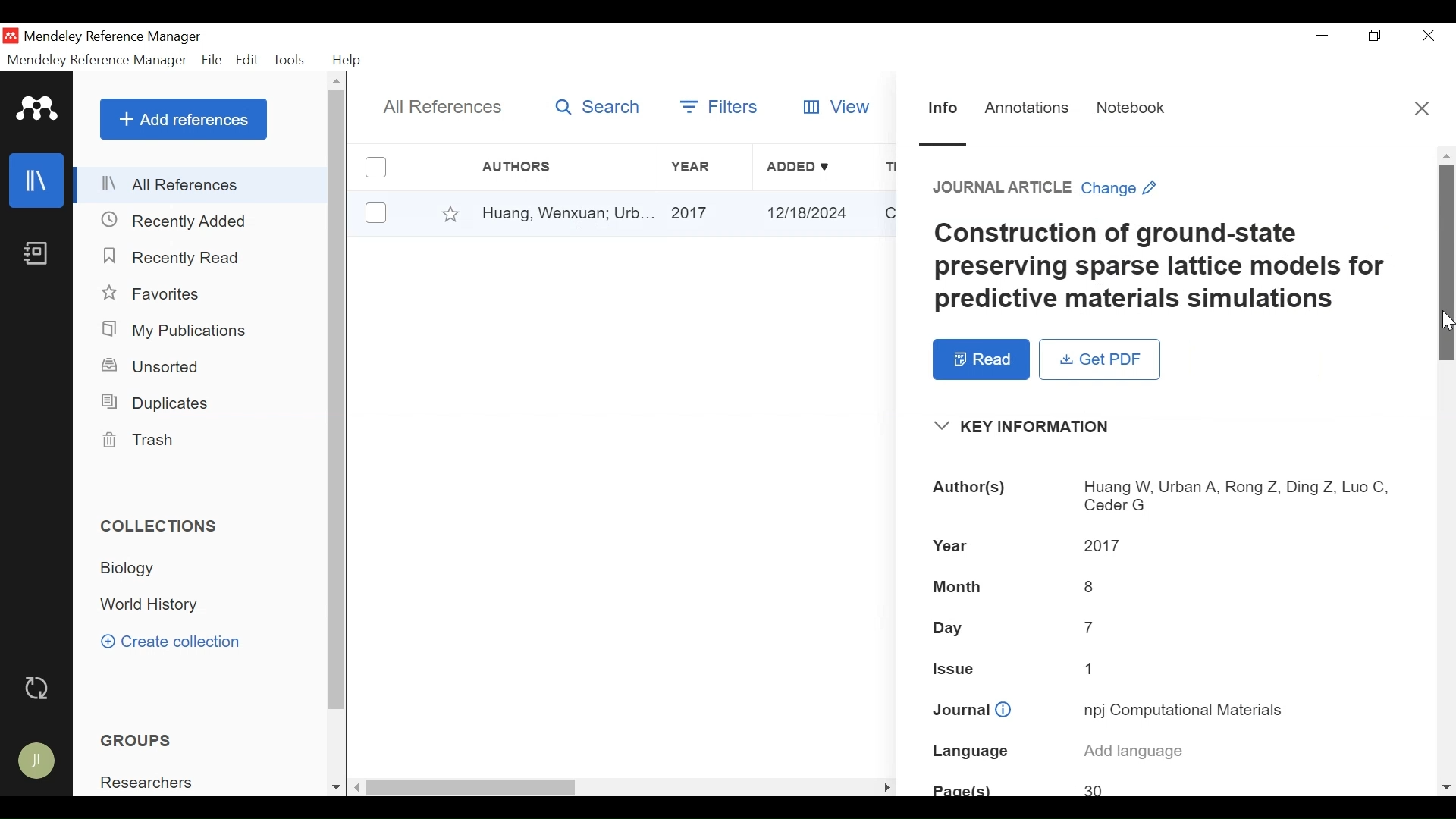 This screenshot has height=819, width=1456. I want to click on 12/18/2024, so click(811, 212).